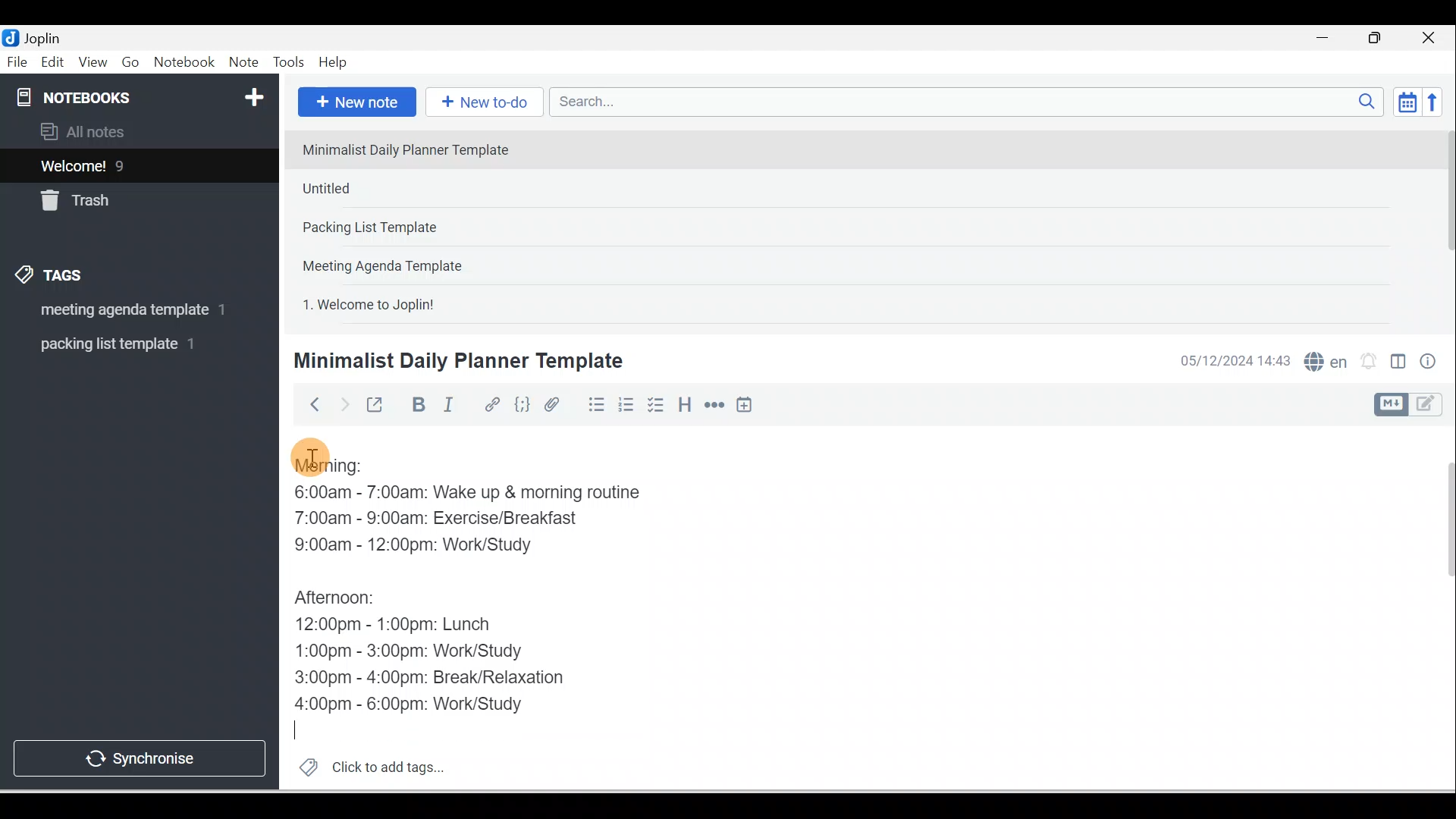 The image size is (1456, 819). What do you see at coordinates (1380, 39) in the screenshot?
I see `Maximise` at bounding box center [1380, 39].